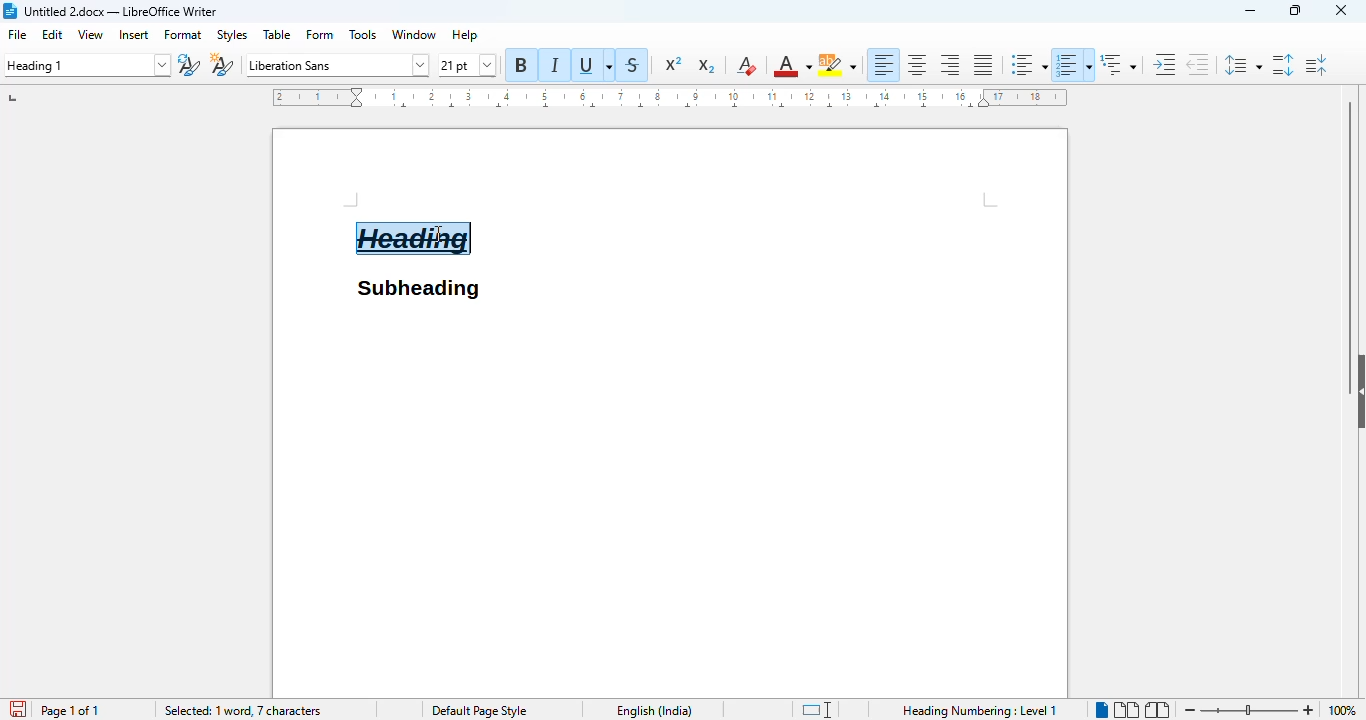 The width and height of the screenshot is (1366, 720). I want to click on toggle unordered list, so click(1028, 65).